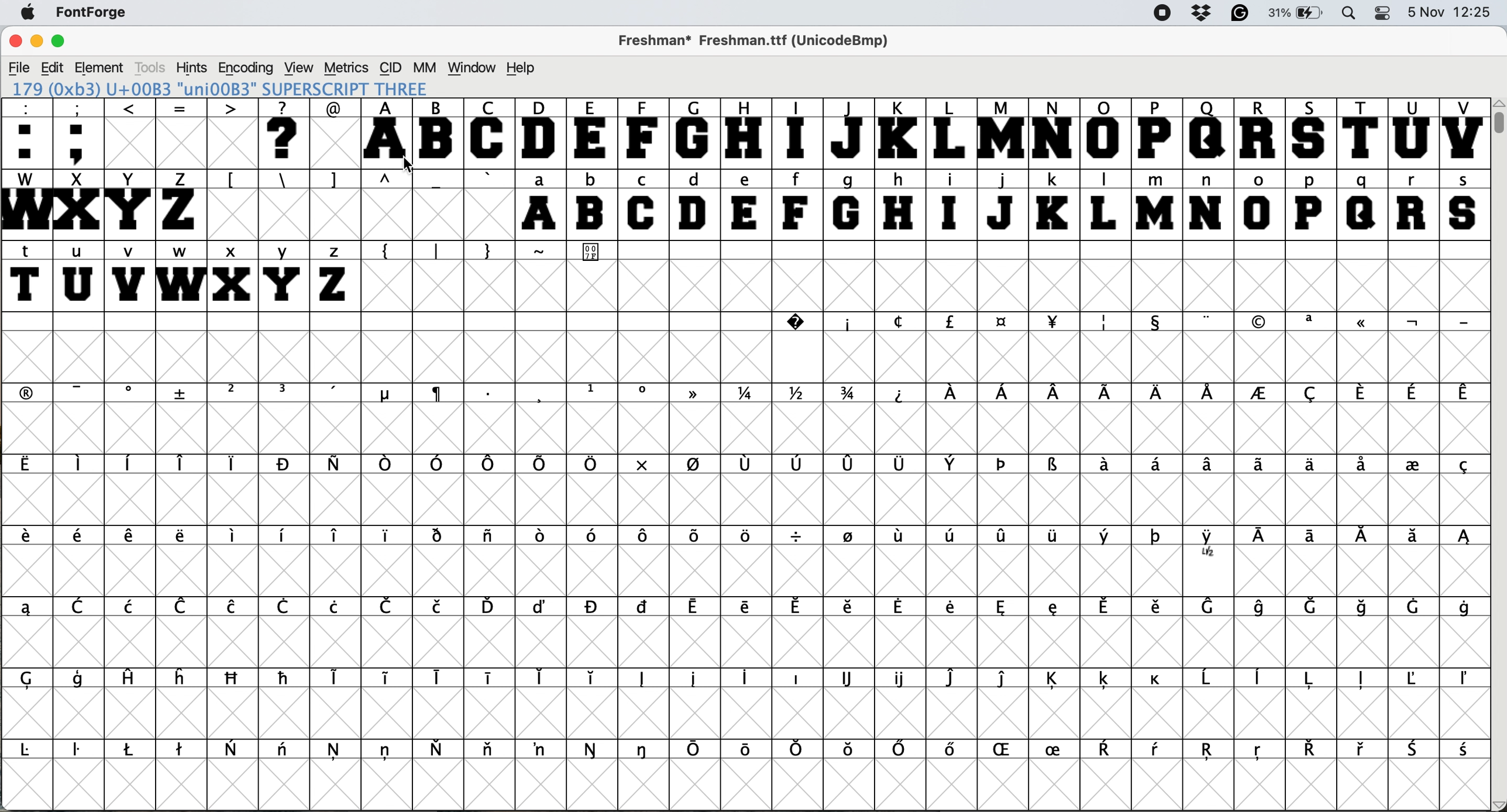 The height and width of the screenshot is (812, 1507). What do you see at coordinates (183, 463) in the screenshot?
I see `symbol` at bounding box center [183, 463].